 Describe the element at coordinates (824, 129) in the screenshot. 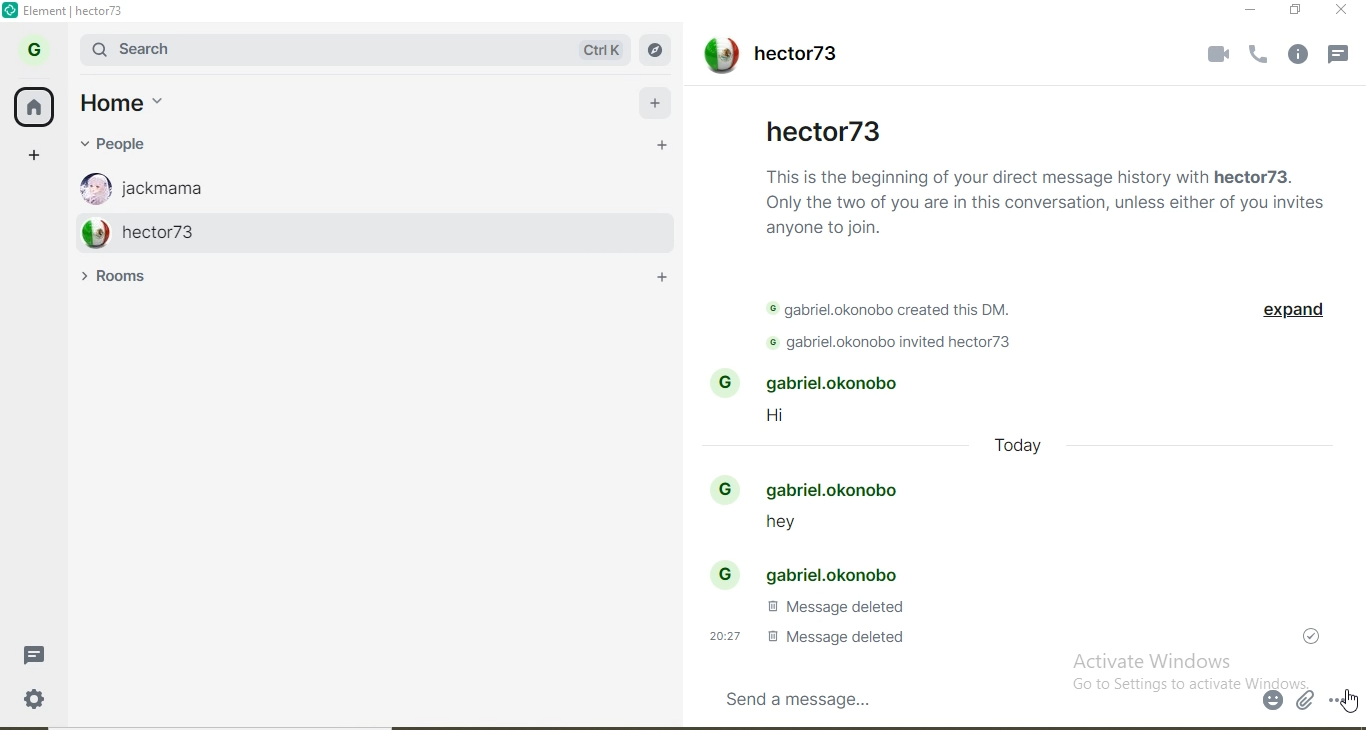

I see `hector73` at that location.